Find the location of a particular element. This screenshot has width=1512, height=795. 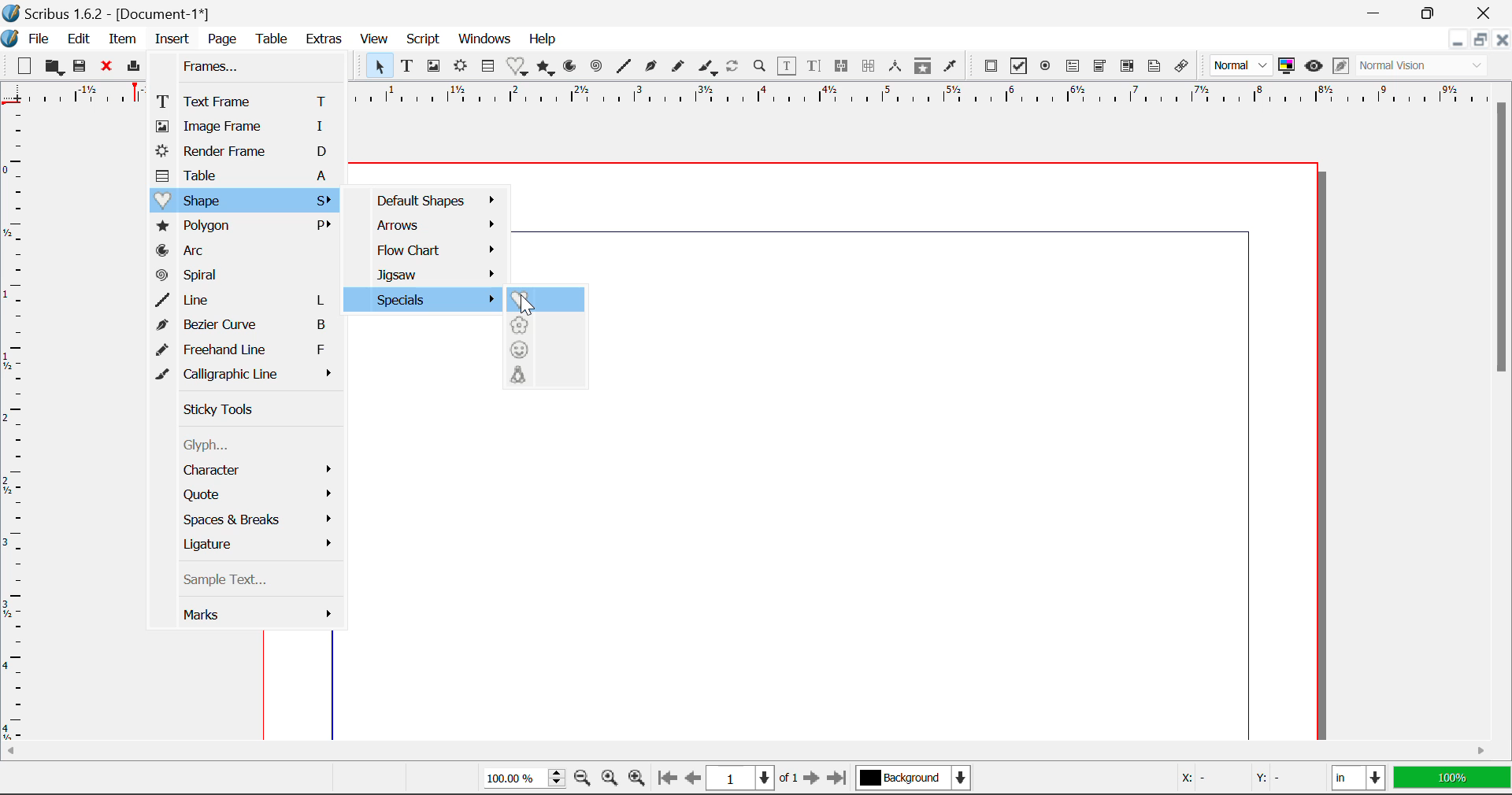

Minimize is located at coordinates (1482, 42).